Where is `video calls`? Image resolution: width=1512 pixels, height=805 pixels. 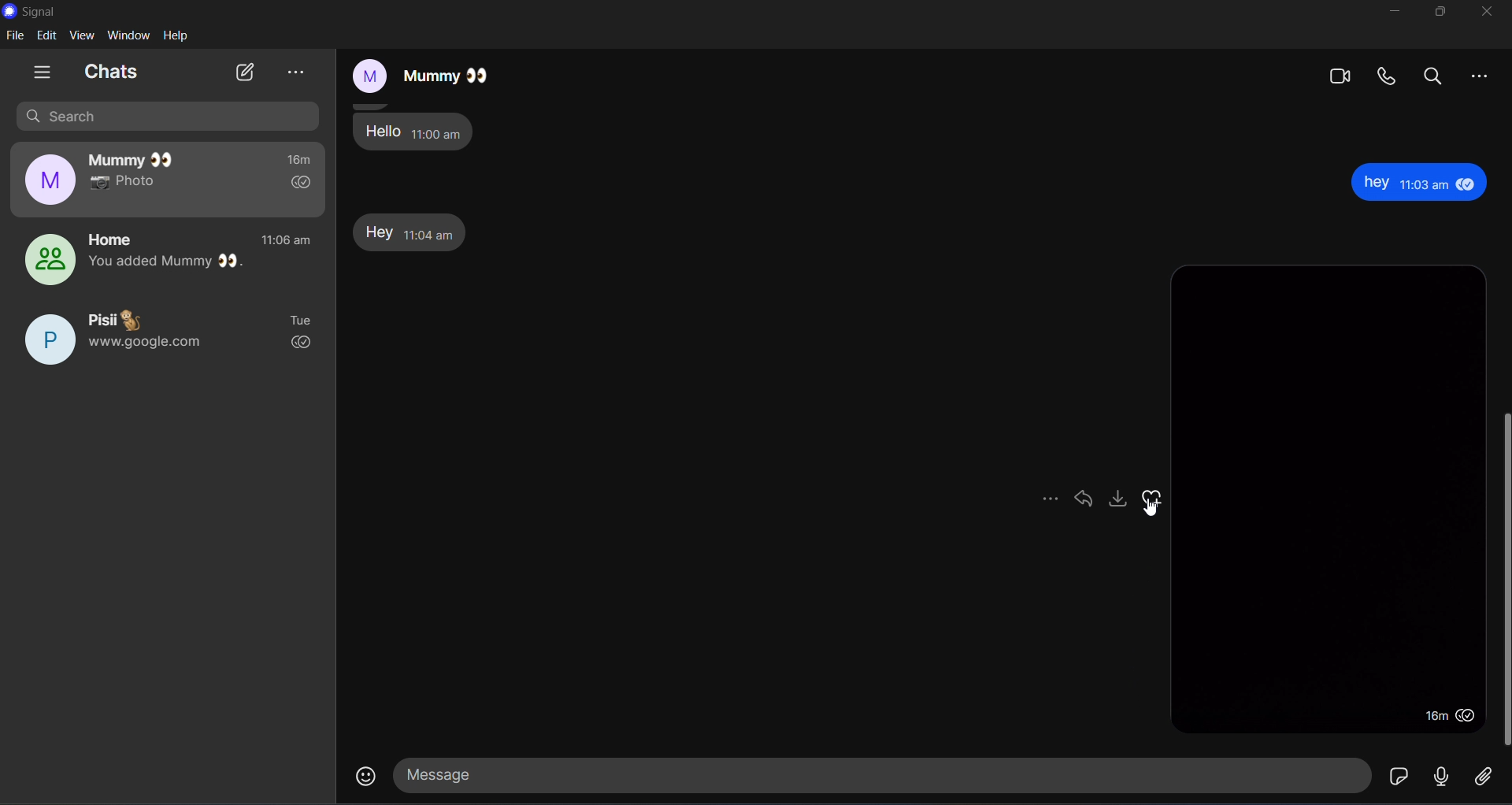 video calls is located at coordinates (1340, 76).